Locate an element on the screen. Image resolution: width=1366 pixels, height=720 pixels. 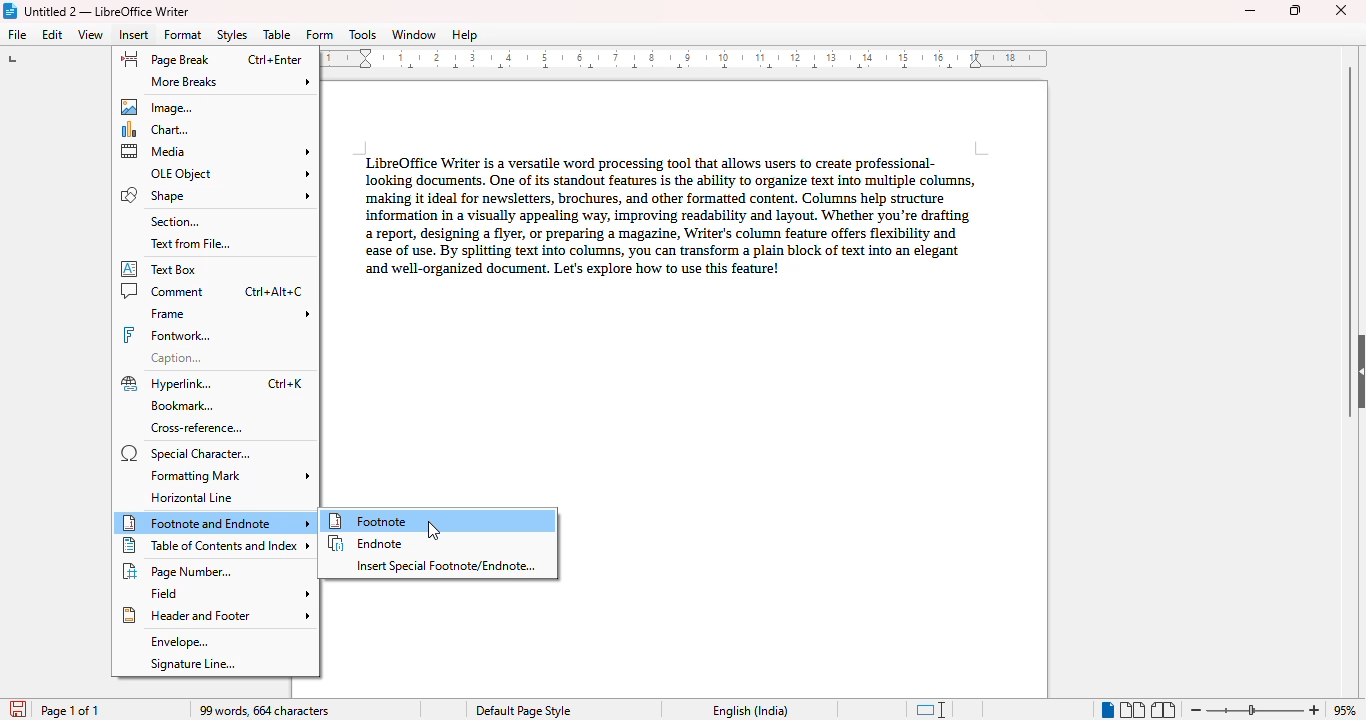
window is located at coordinates (414, 34).